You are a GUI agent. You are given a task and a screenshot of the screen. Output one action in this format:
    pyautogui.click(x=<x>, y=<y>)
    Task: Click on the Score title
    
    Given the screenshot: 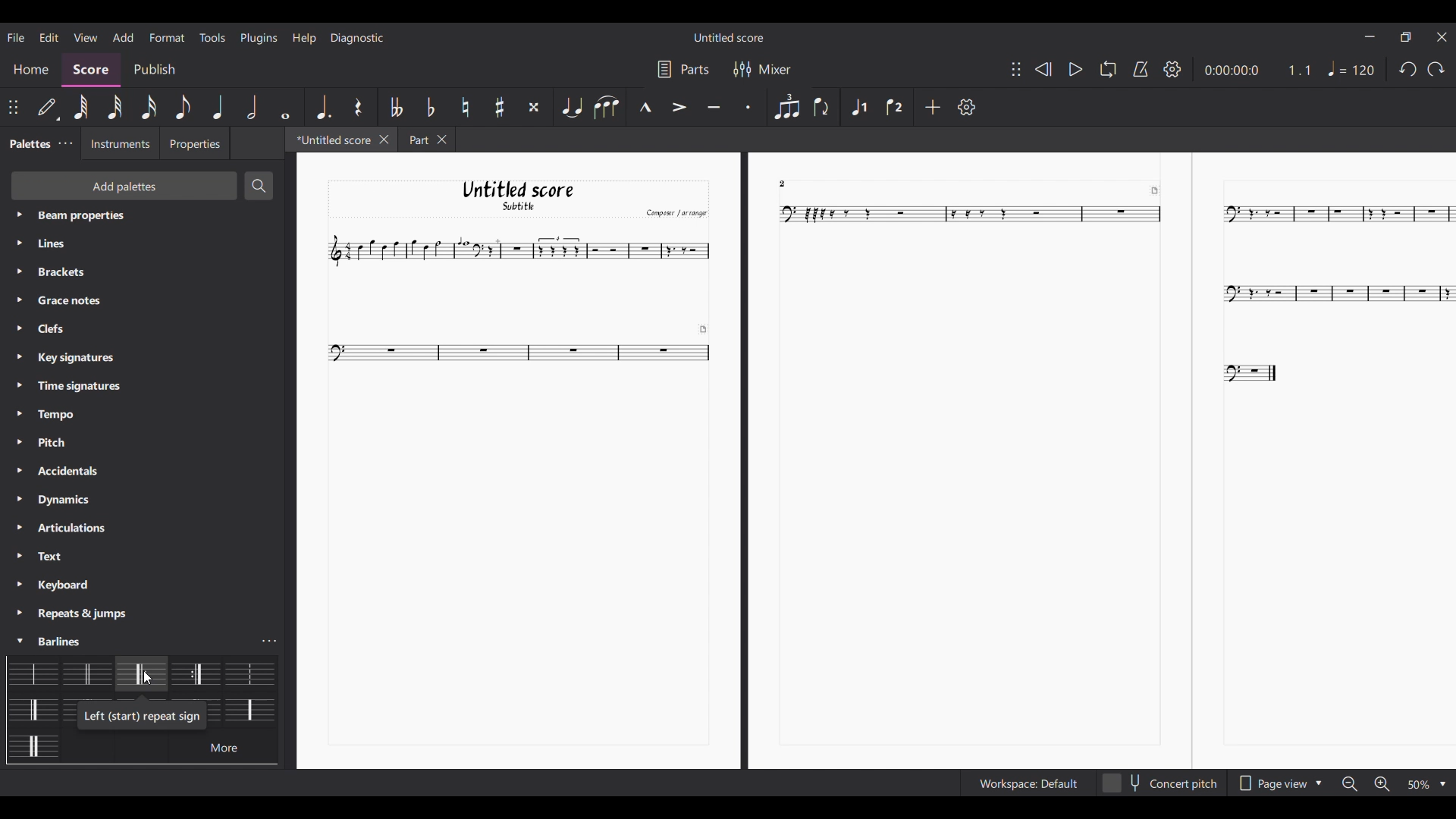 What is the action you would take?
    pyautogui.click(x=728, y=36)
    